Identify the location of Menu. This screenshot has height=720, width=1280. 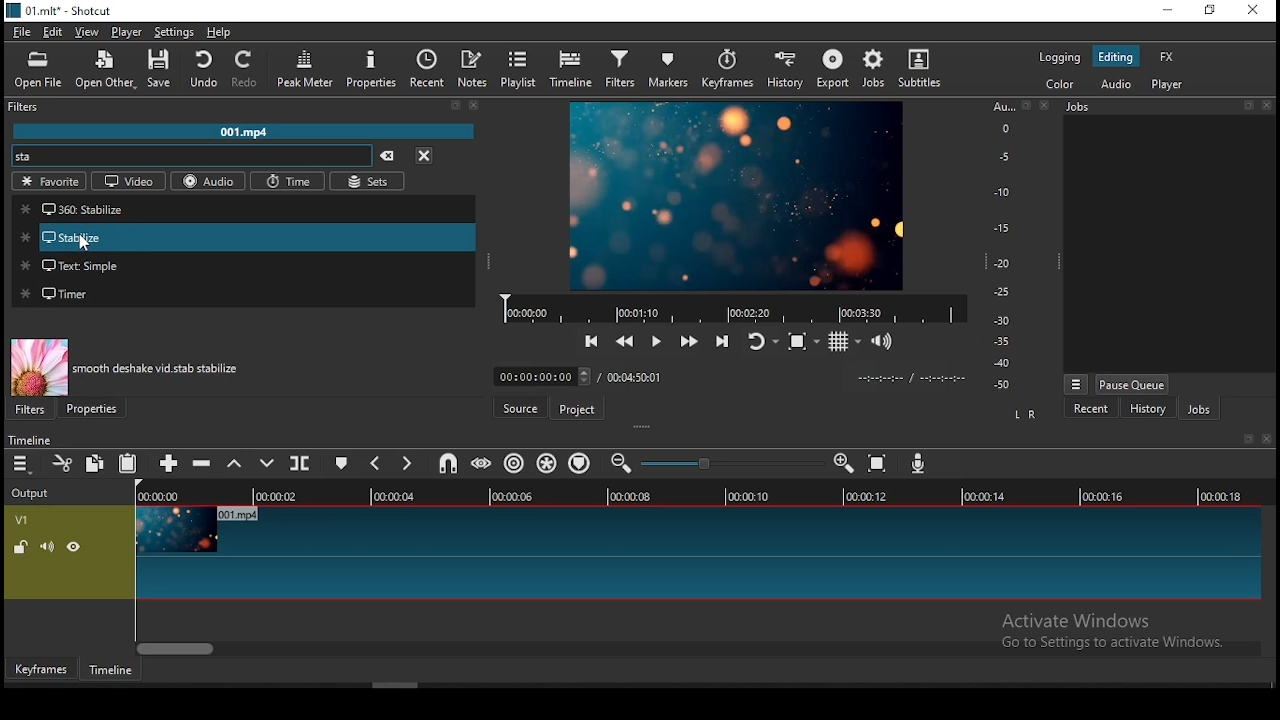
(1073, 383).